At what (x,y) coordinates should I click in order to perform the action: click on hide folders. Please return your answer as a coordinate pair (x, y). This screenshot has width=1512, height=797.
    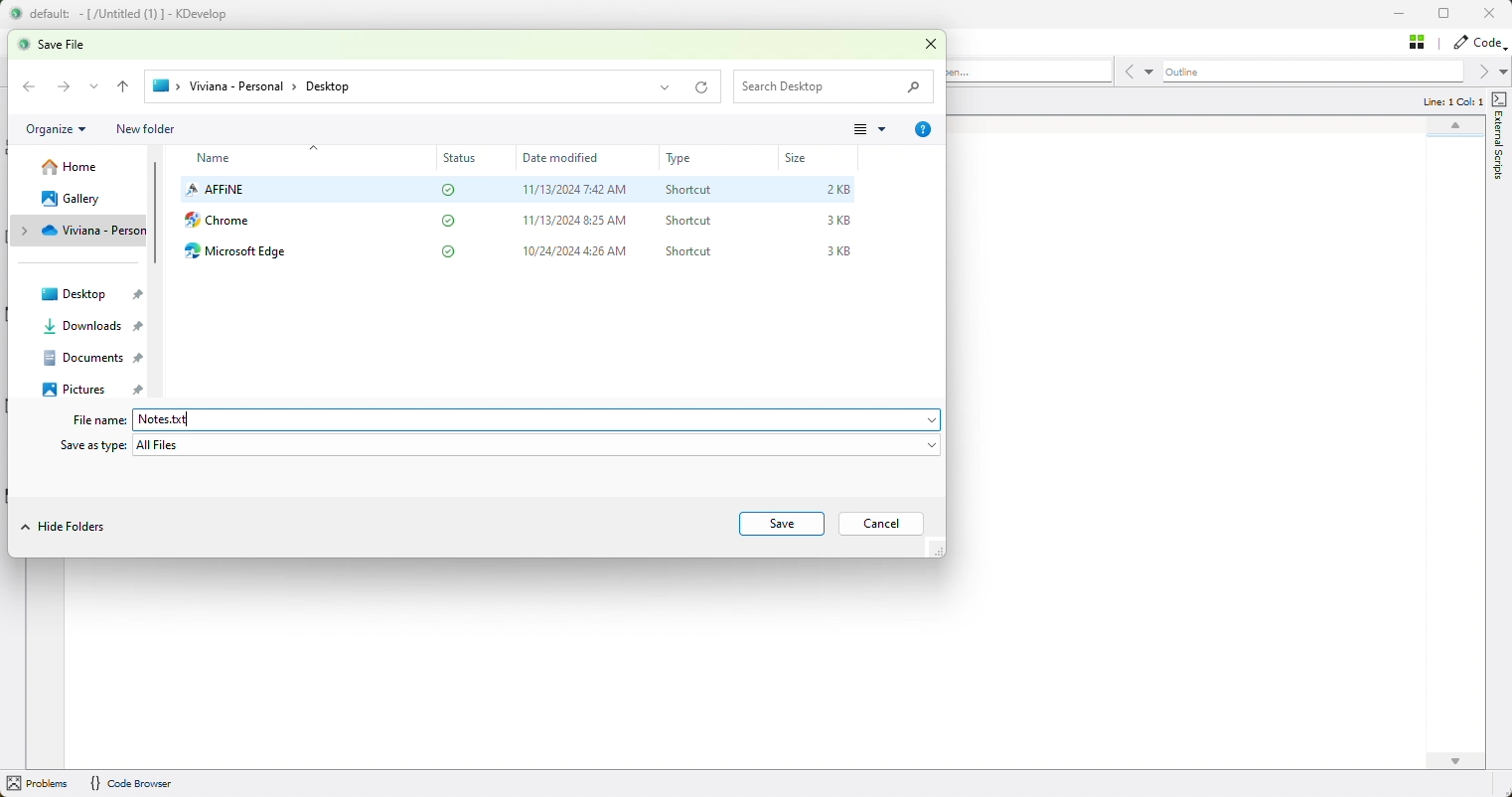
    Looking at the image, I should click on (64, 528).